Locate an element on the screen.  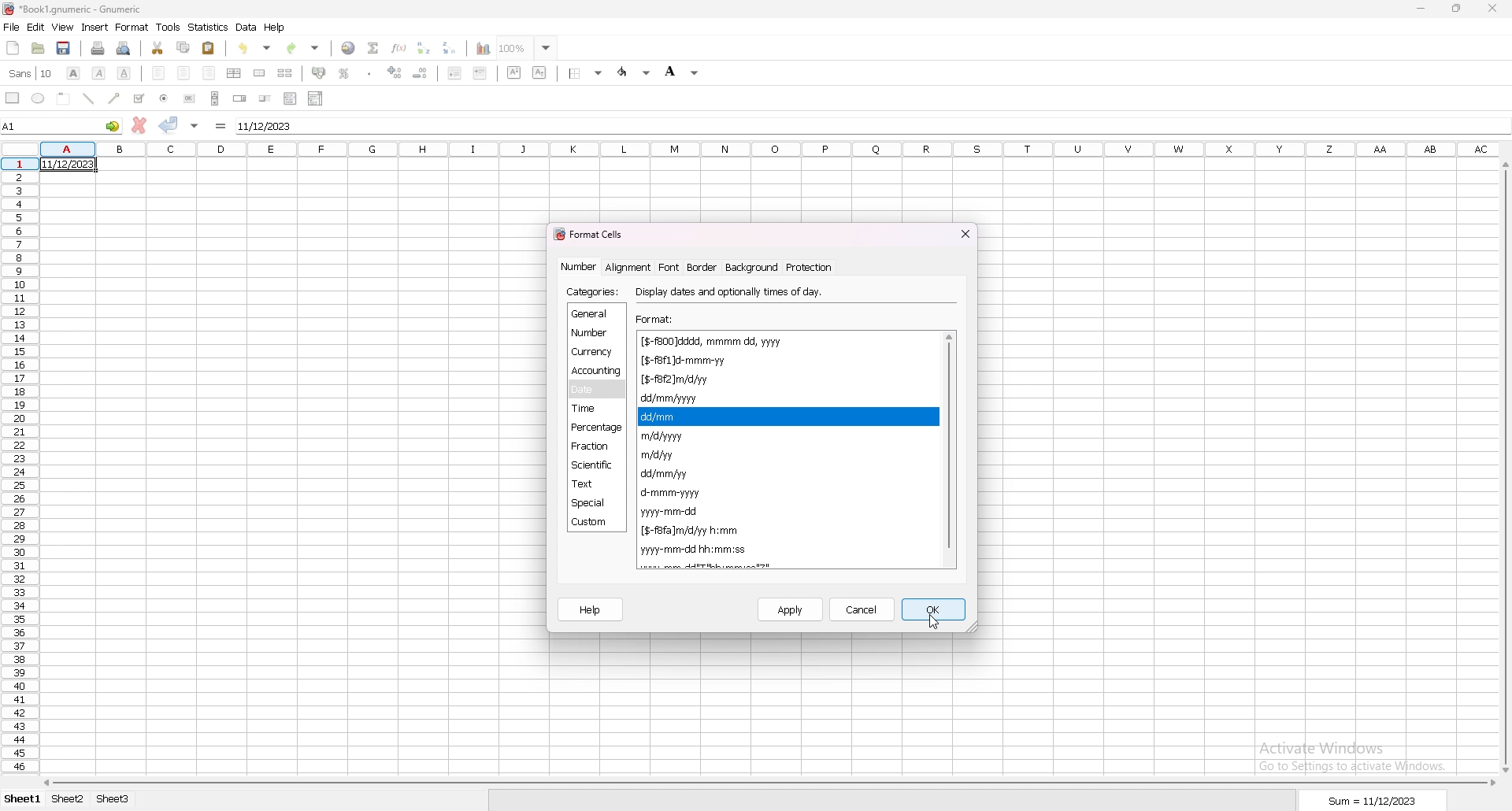
general is located at coordinates (596, 313).